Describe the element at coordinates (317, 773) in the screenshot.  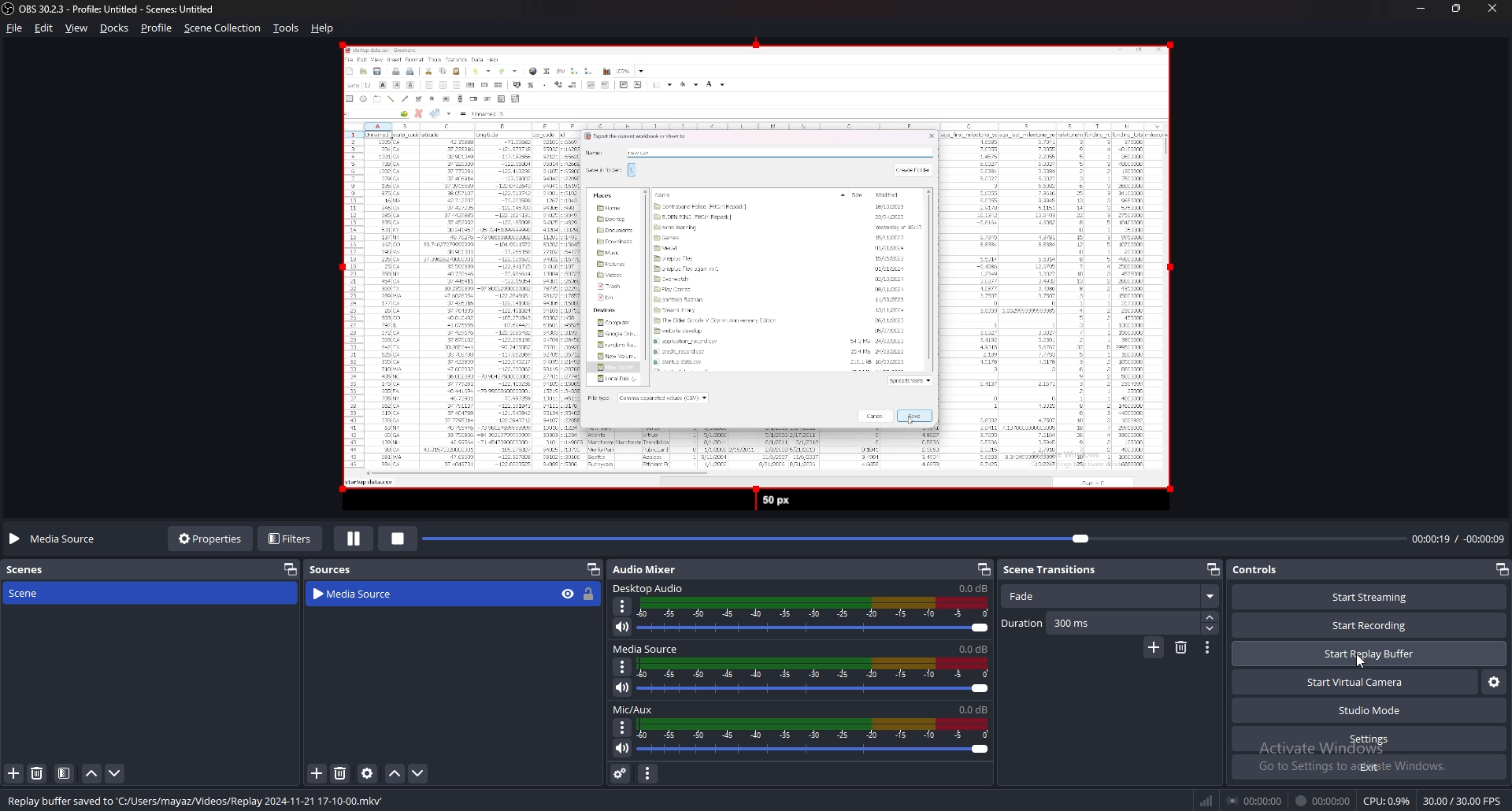
I see `add source` at that location.